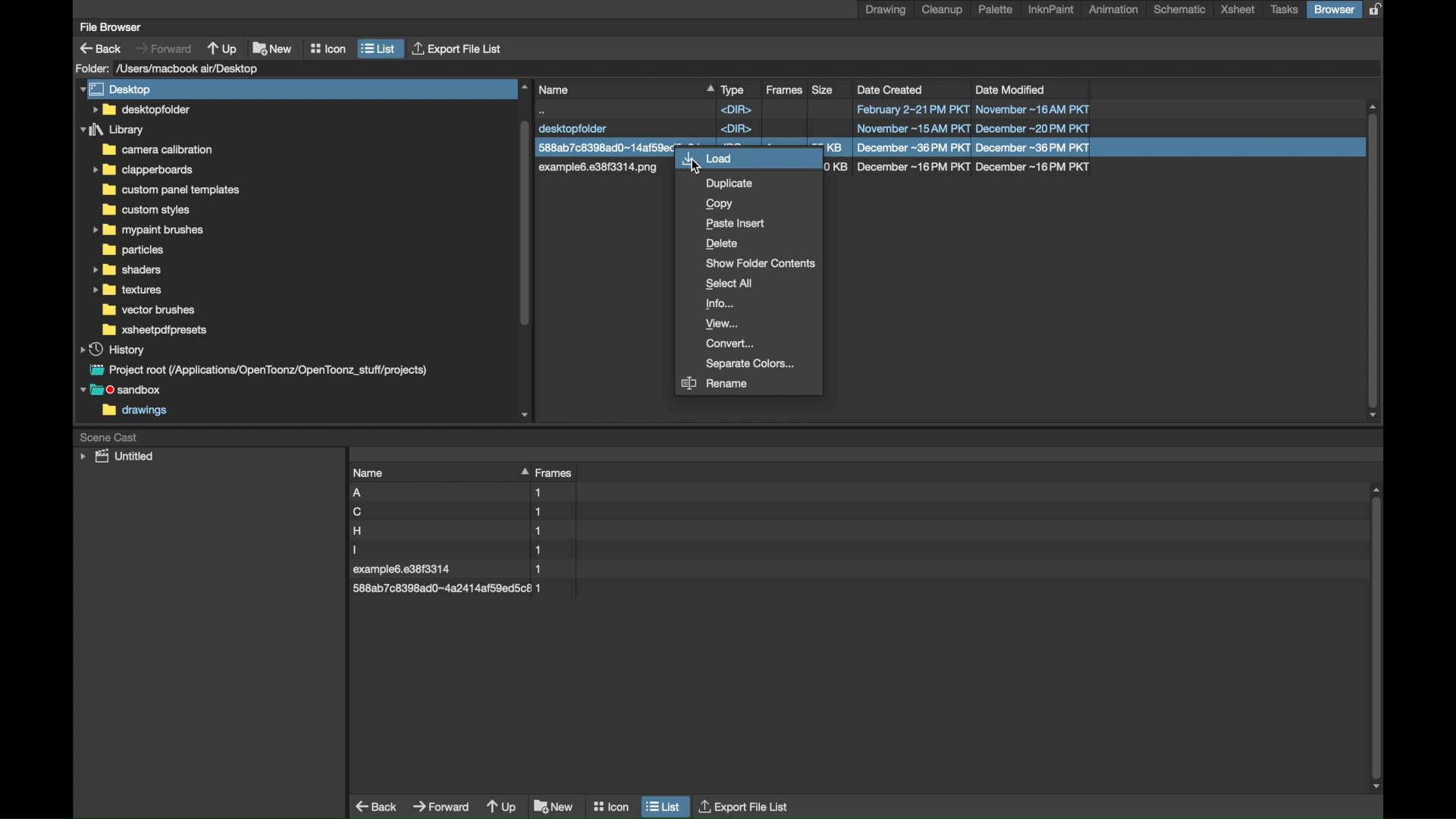 Image resolution: width=1456 pixels, height=819 pixels. Describe the element at coordinates (117, 457) in the screenshot. I see `untitled` at that location.